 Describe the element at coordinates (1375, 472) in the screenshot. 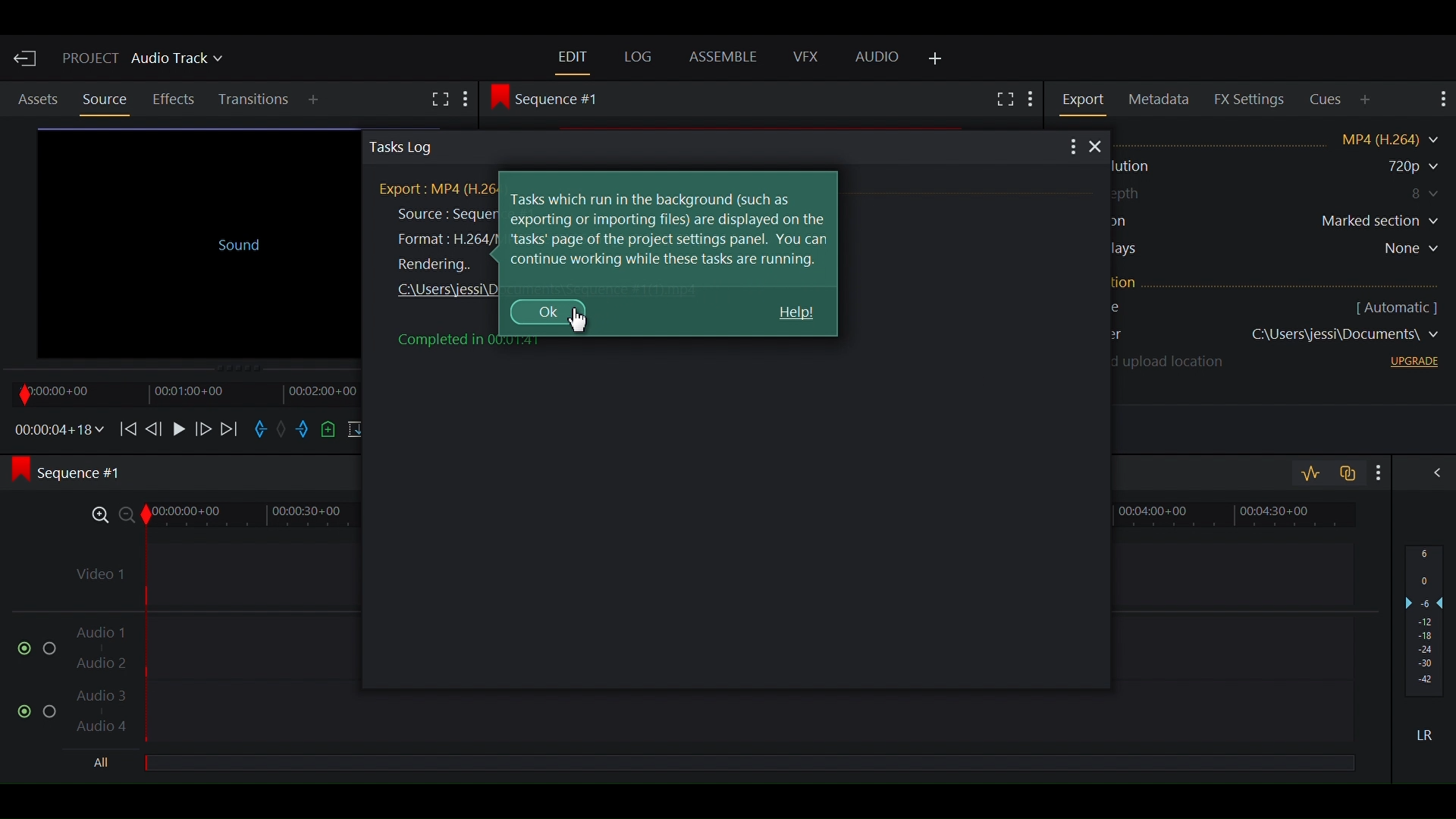

I see `Show settings menu` at that location.